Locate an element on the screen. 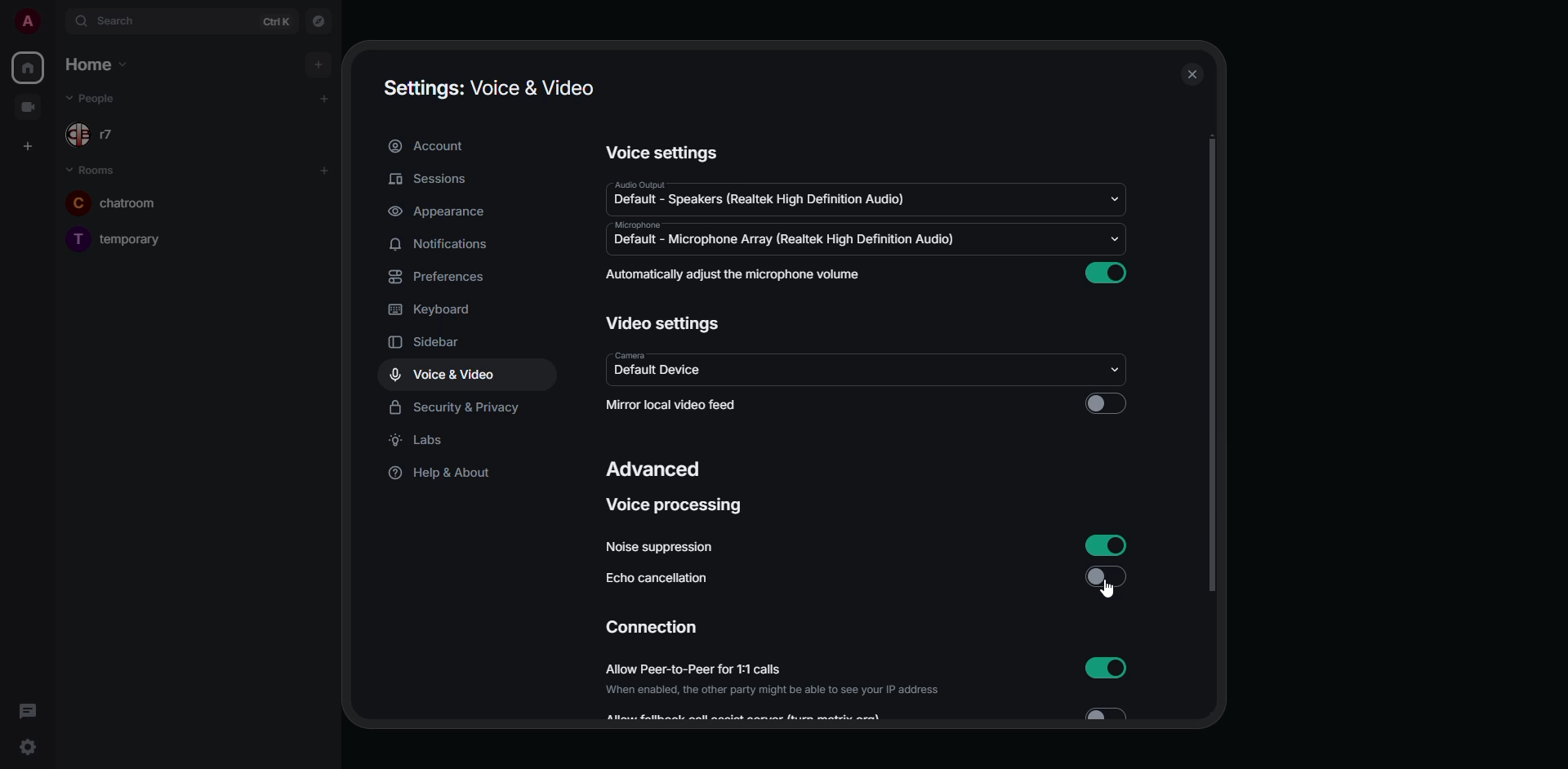 This screenshot has width=1568, height=769. people is located at coordinates (104, 134).